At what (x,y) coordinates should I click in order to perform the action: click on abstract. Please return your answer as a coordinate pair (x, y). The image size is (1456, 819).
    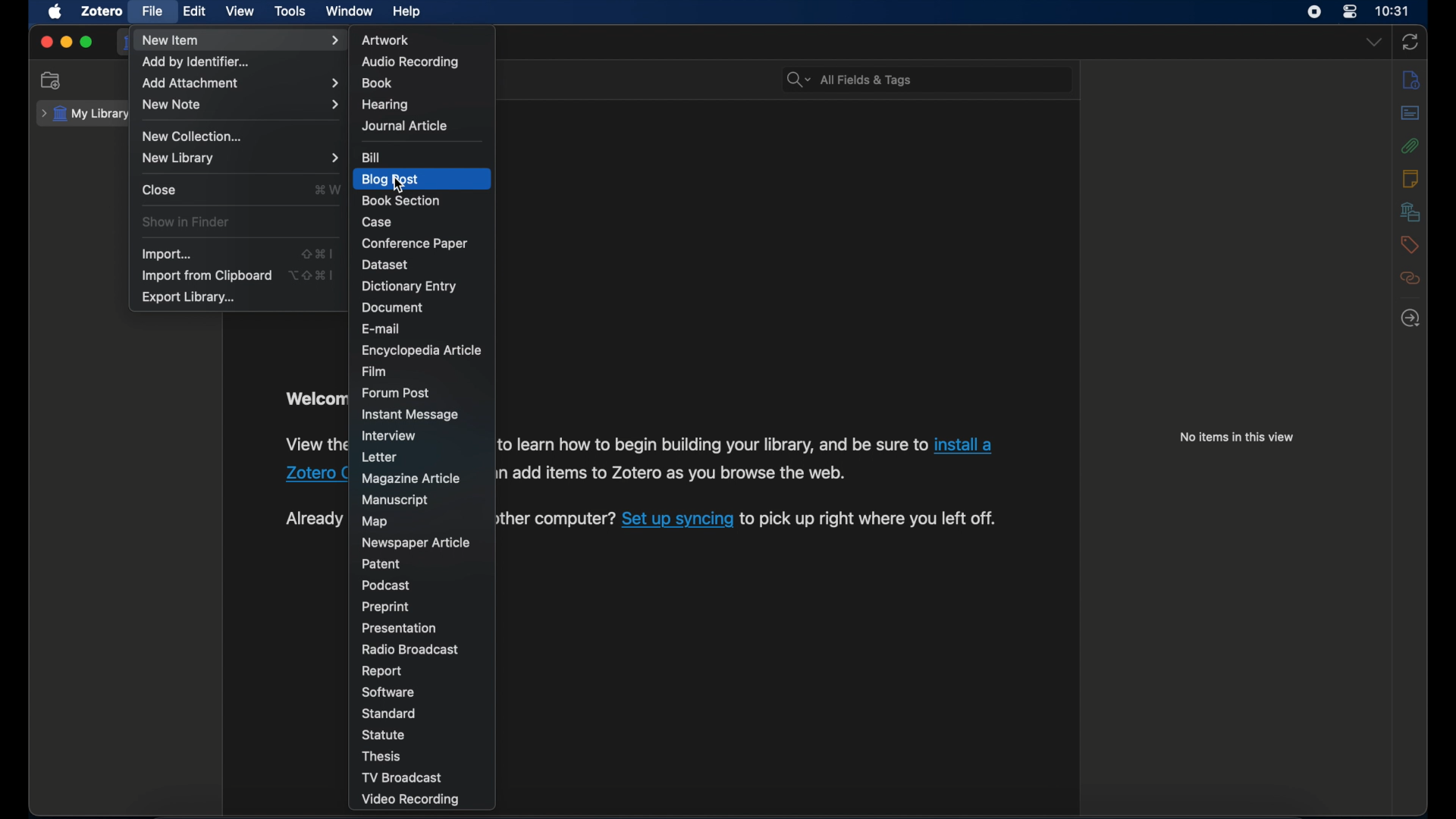
    Looking at the image, I should click on (1410, 113).